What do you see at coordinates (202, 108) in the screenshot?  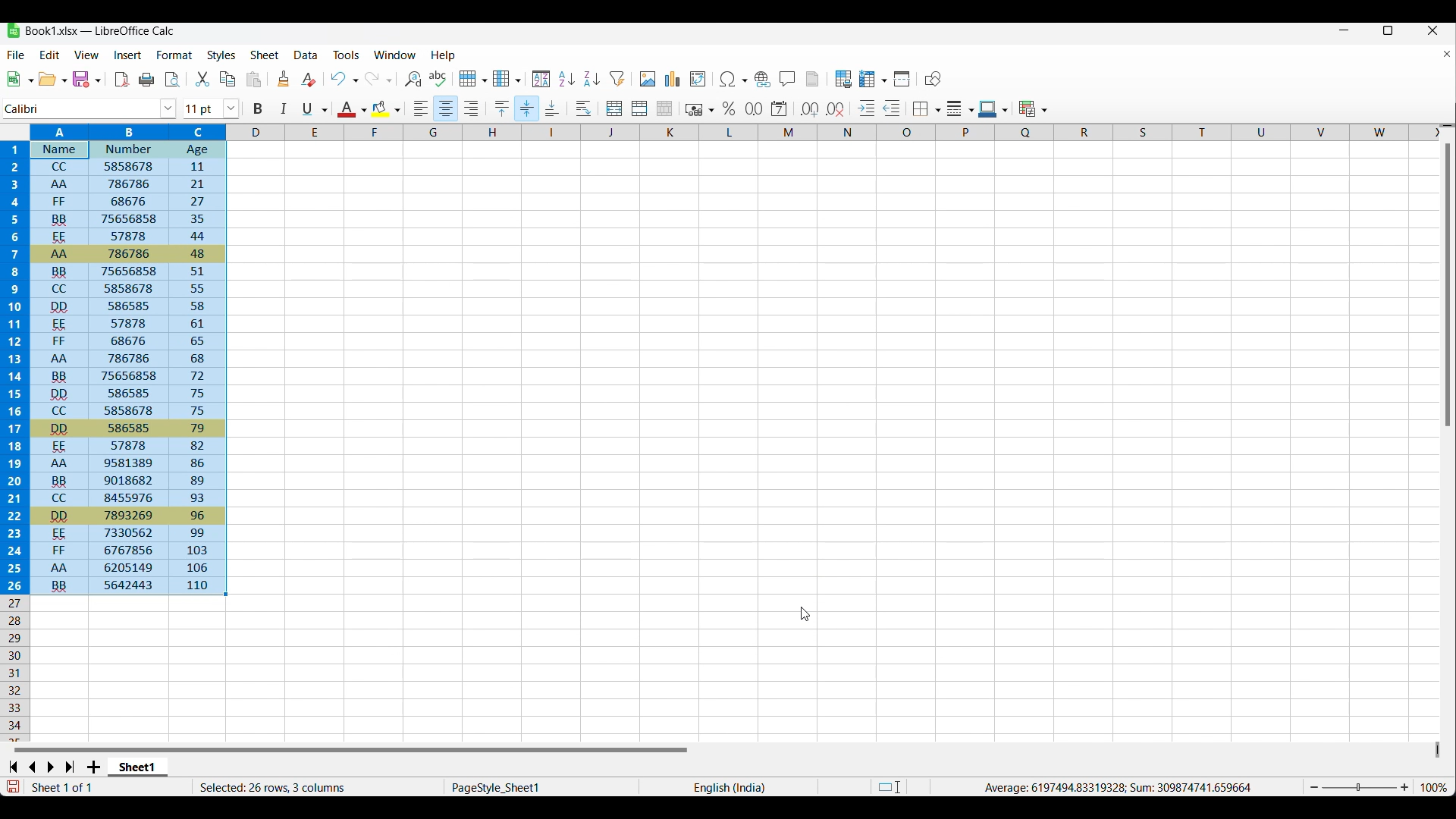 I see `Input font size` at bounding box center [202, 108].